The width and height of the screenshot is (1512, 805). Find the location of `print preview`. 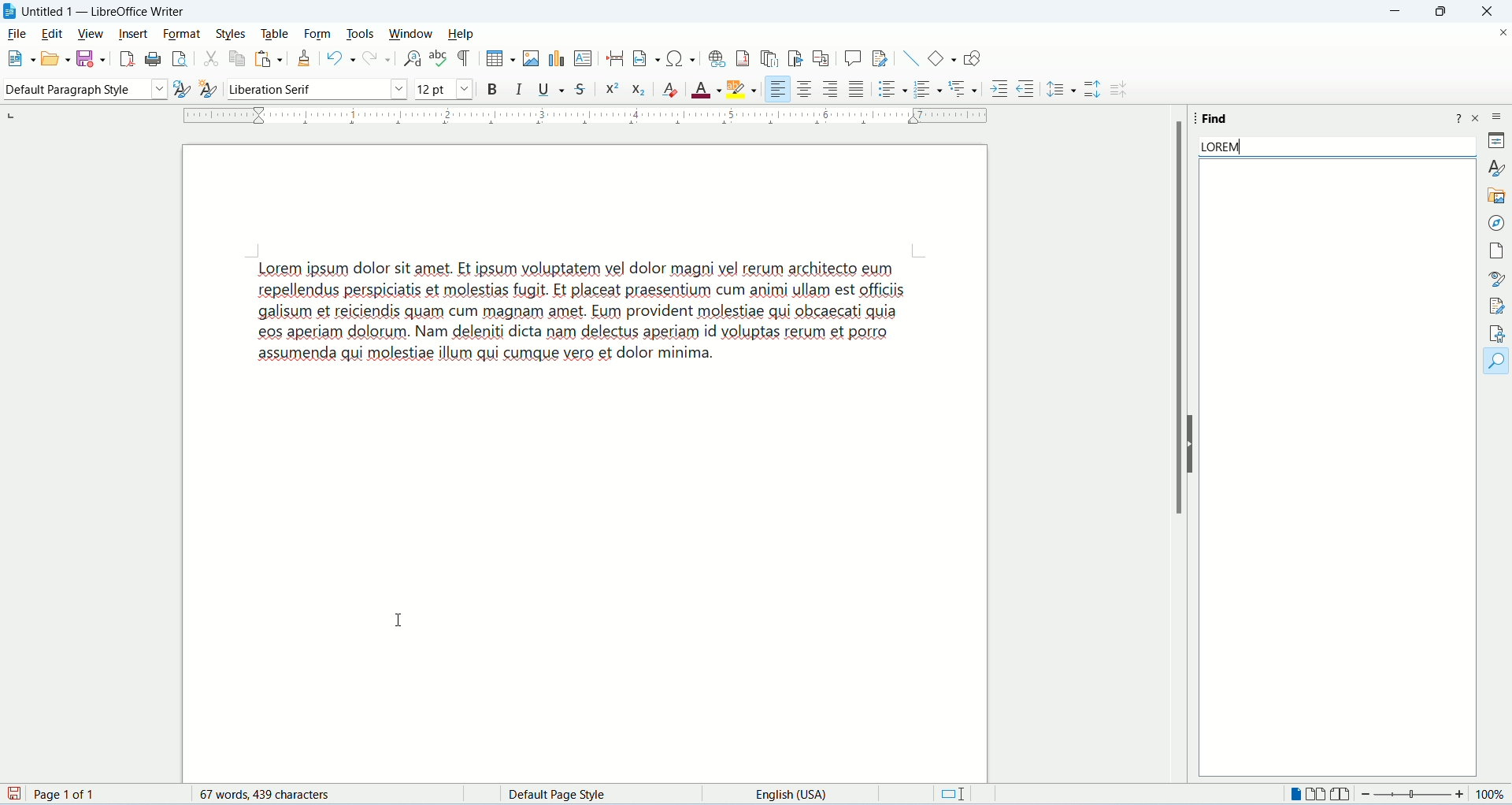

print preview is located at coordinates (179, 61).